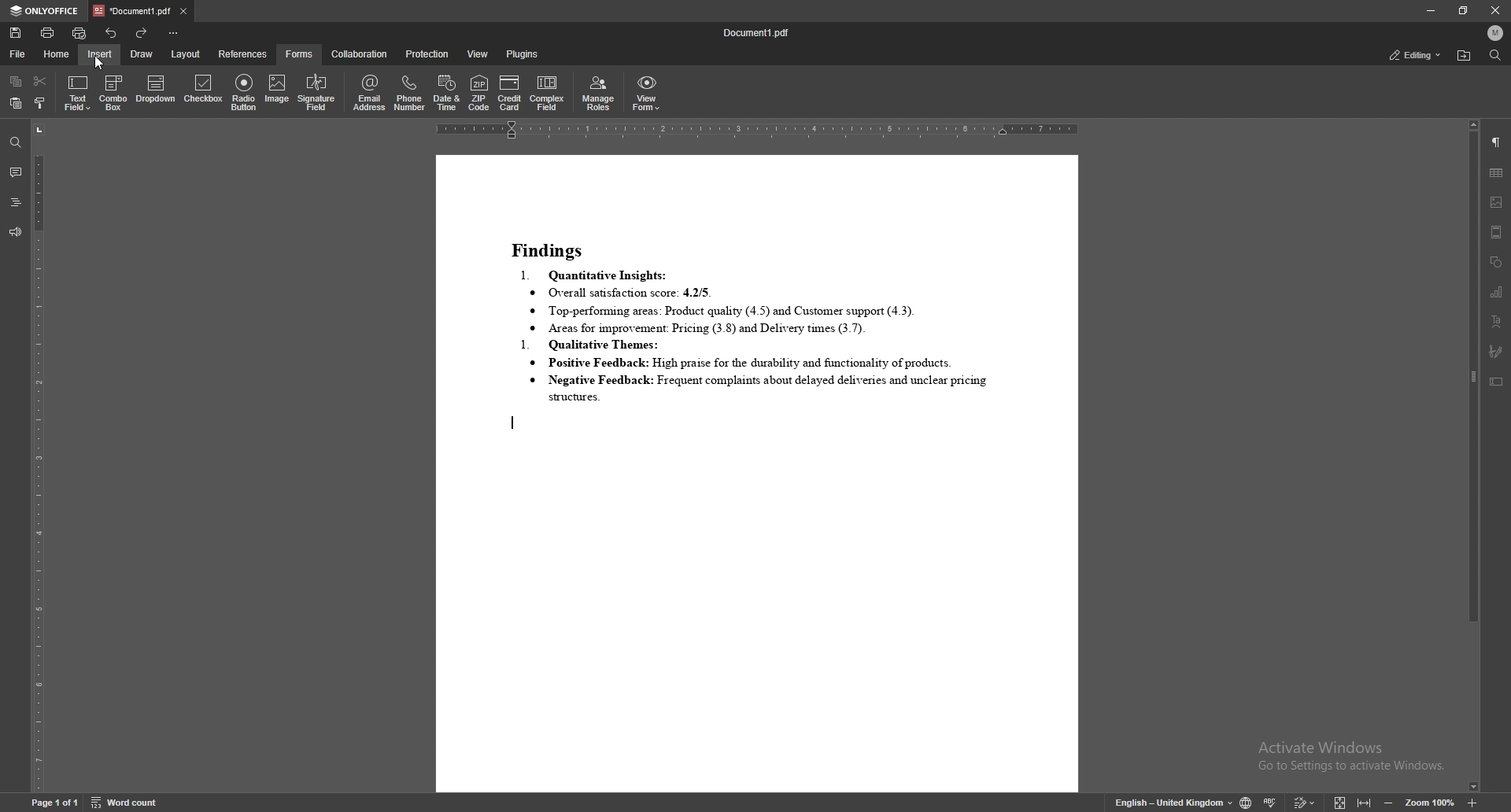 The image size is (1511, 812). Describe the element at coordinates (111, 33) in the screenshot. I see `undo` at that location.